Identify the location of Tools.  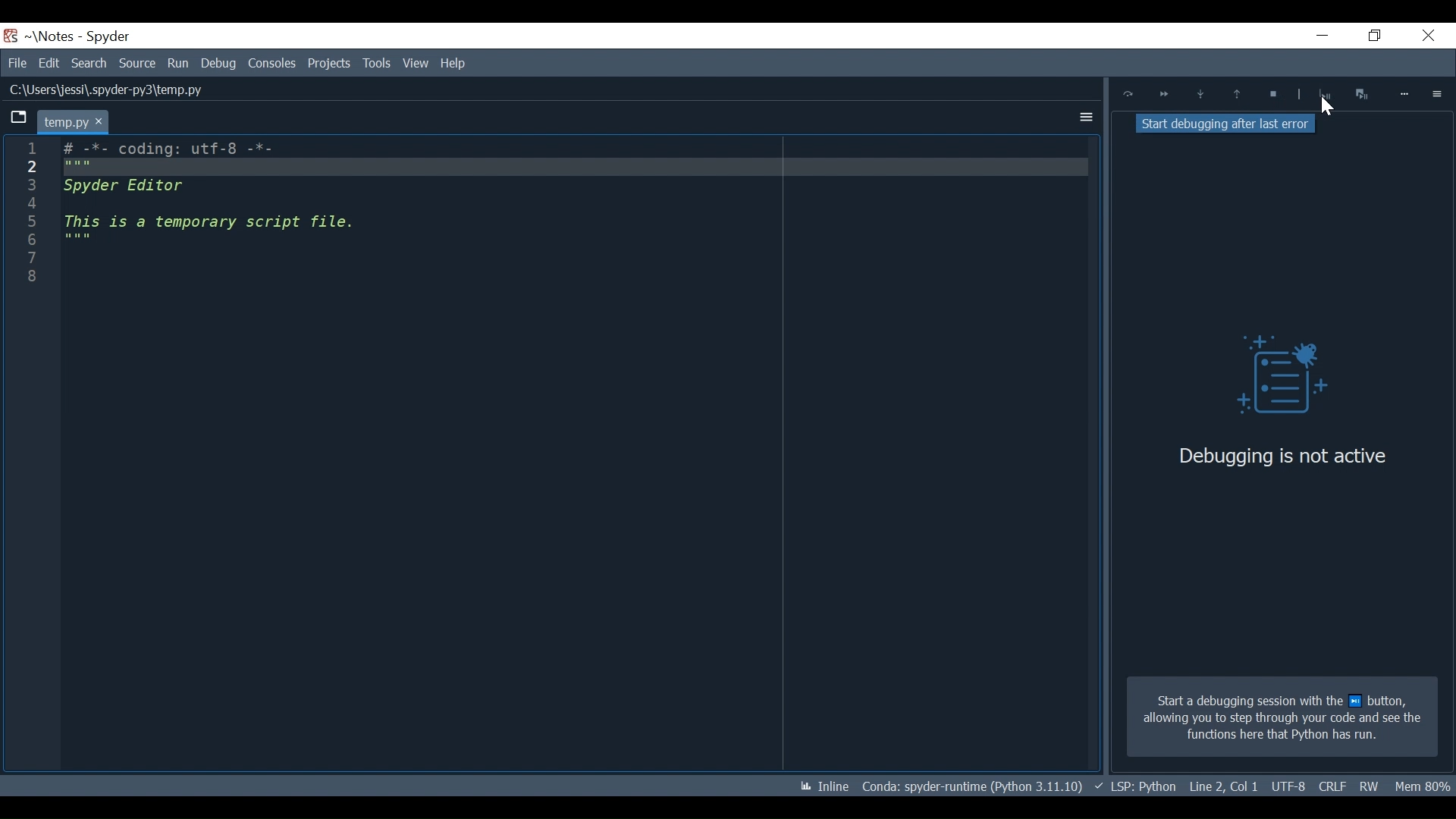
(331, 63).